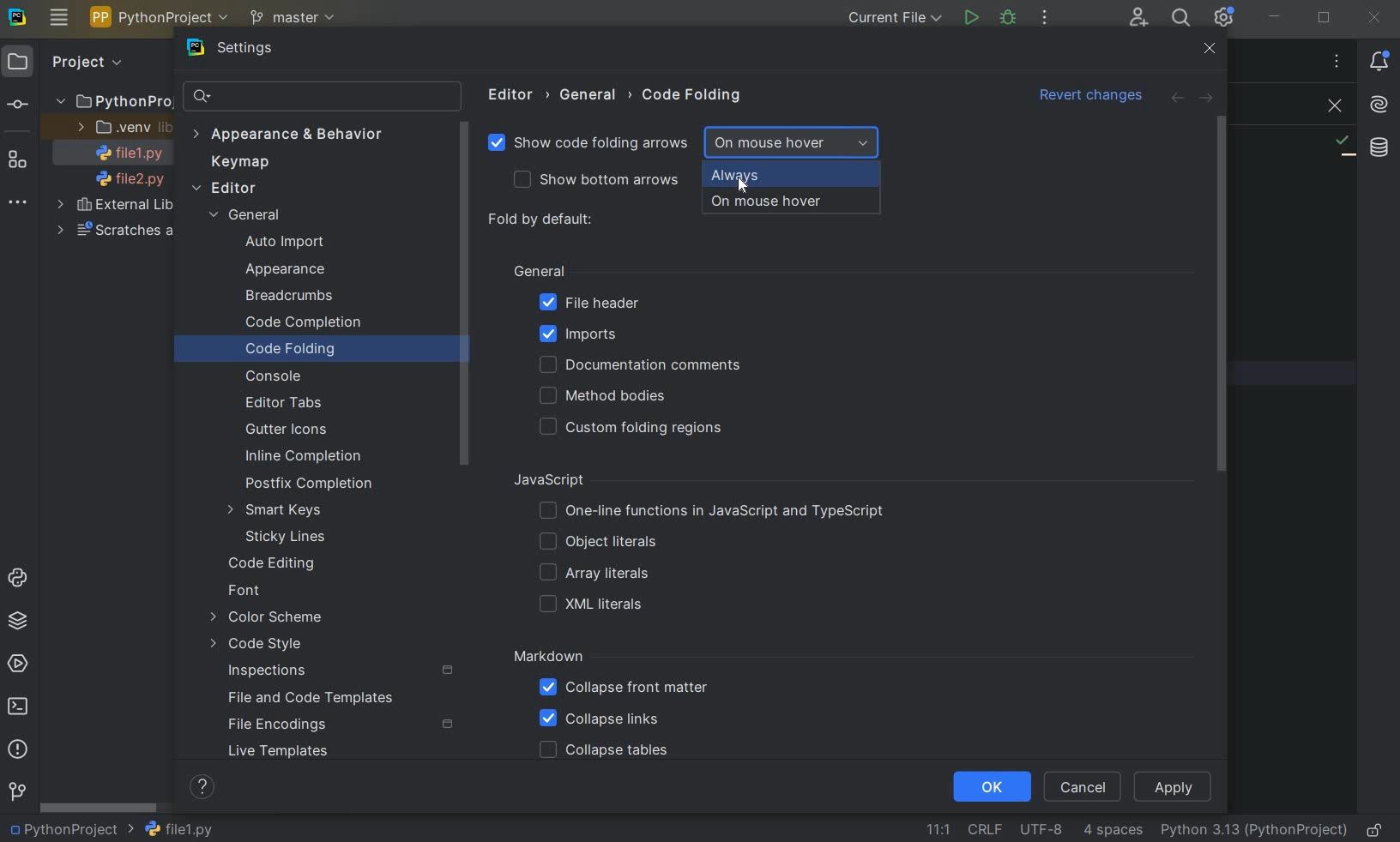 The height and width of the screenshot is (842, 1400). Describe the element at coordinates (792, 142) in the screenshot. I see `ON MOUSE HOVER` at that location.